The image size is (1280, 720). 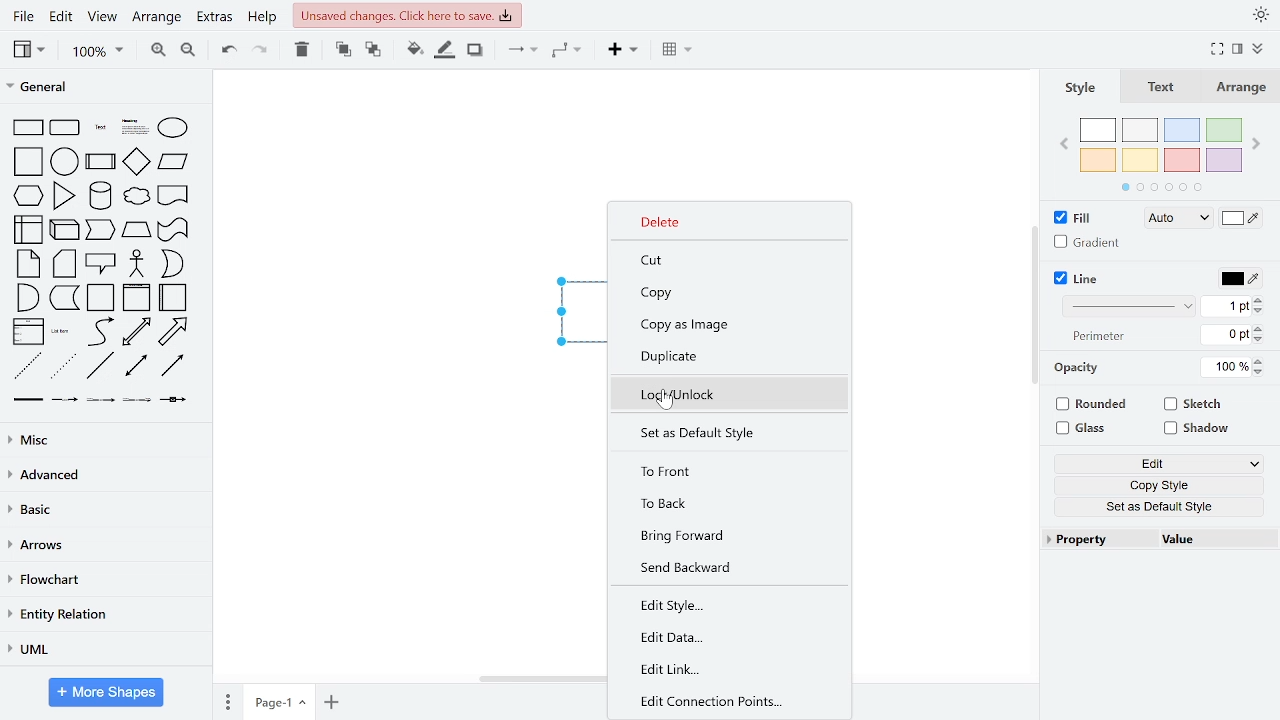 I want to click on copy style, so click(x=1159, y=483).